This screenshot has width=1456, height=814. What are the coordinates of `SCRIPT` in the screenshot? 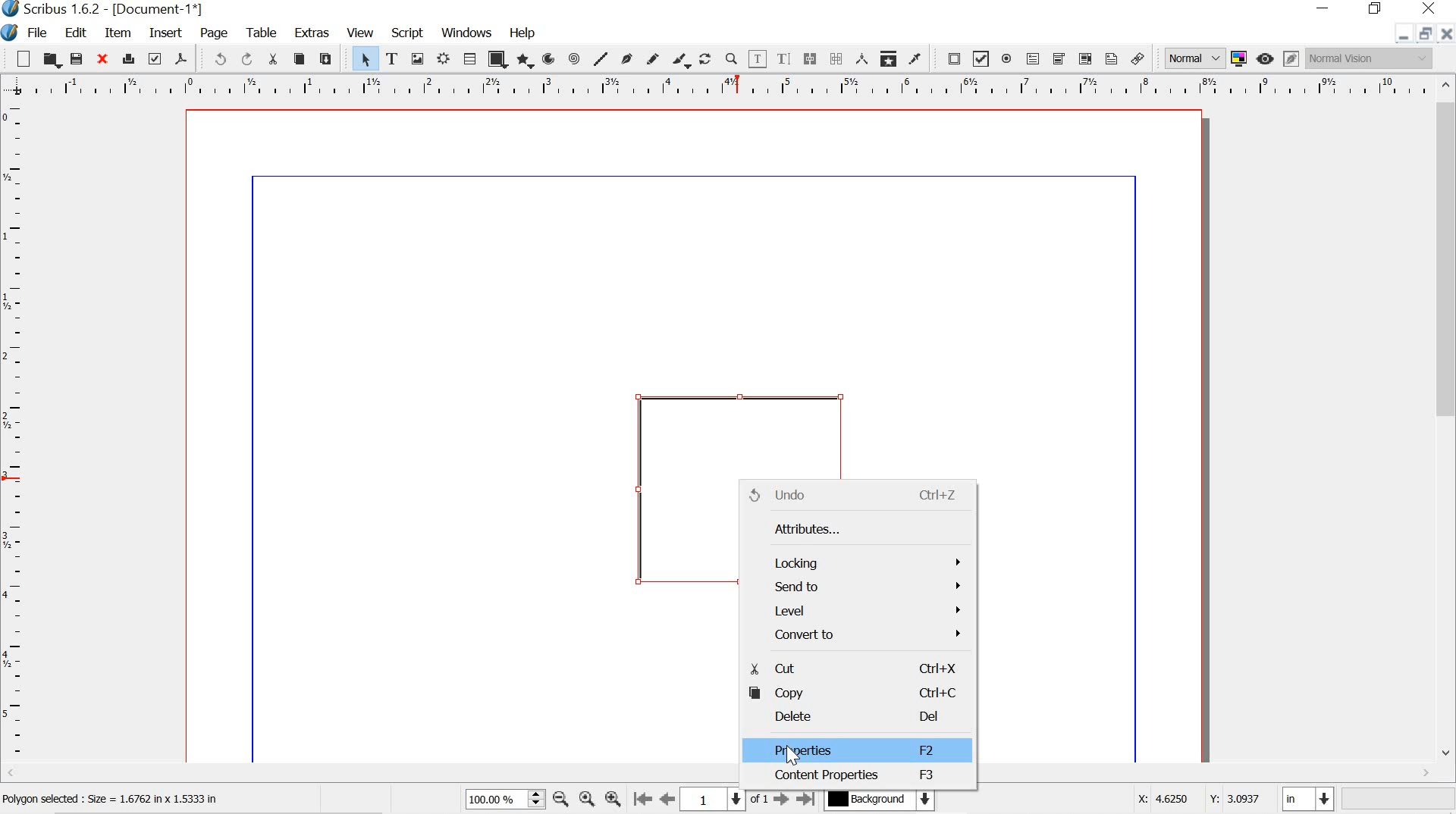 It's located at (408, 31).